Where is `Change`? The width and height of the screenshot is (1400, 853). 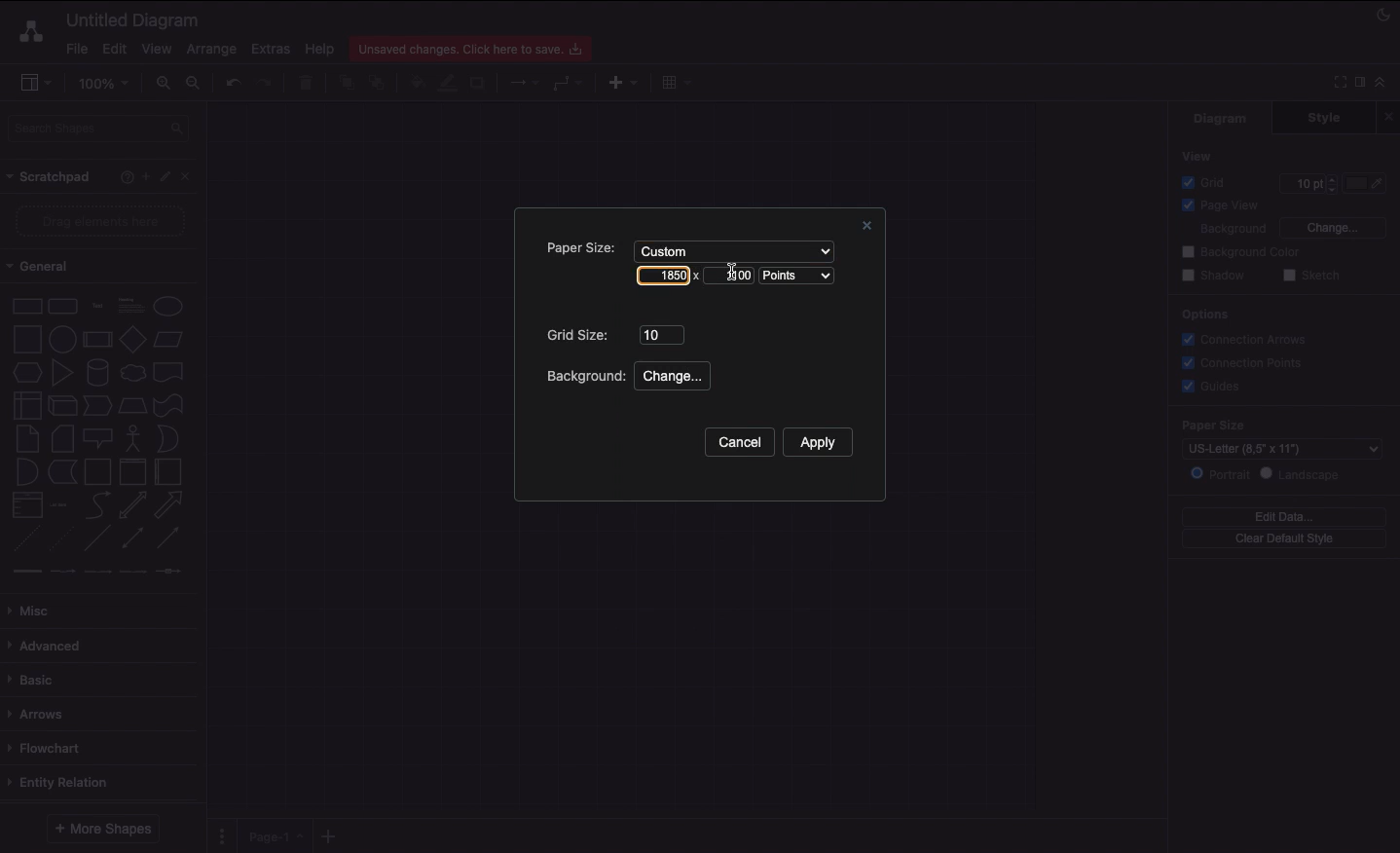
Change is located at coordinates (1332, 226).